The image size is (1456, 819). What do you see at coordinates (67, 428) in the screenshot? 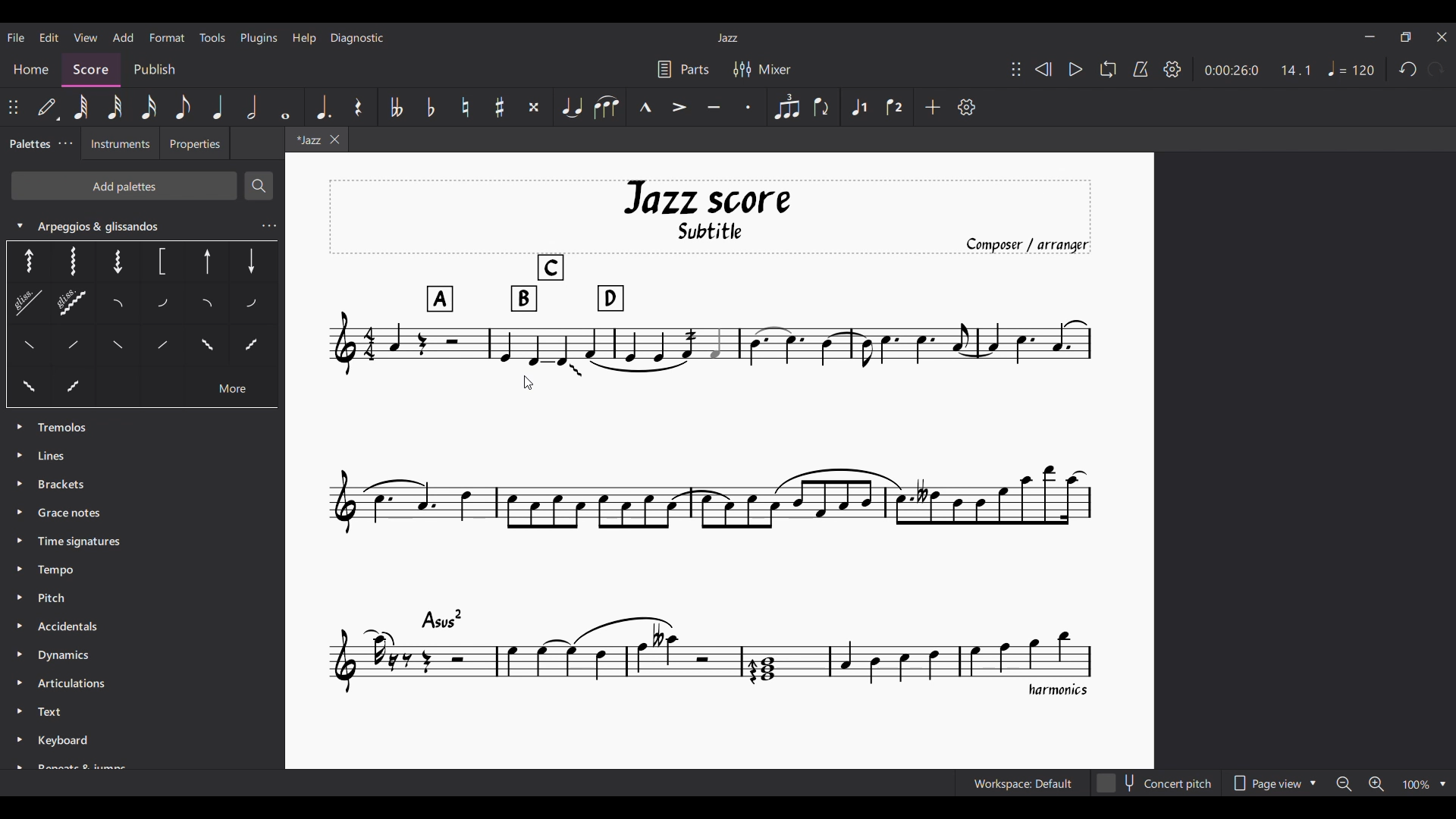
I see `Palette options` at bounding box center [67, 428].